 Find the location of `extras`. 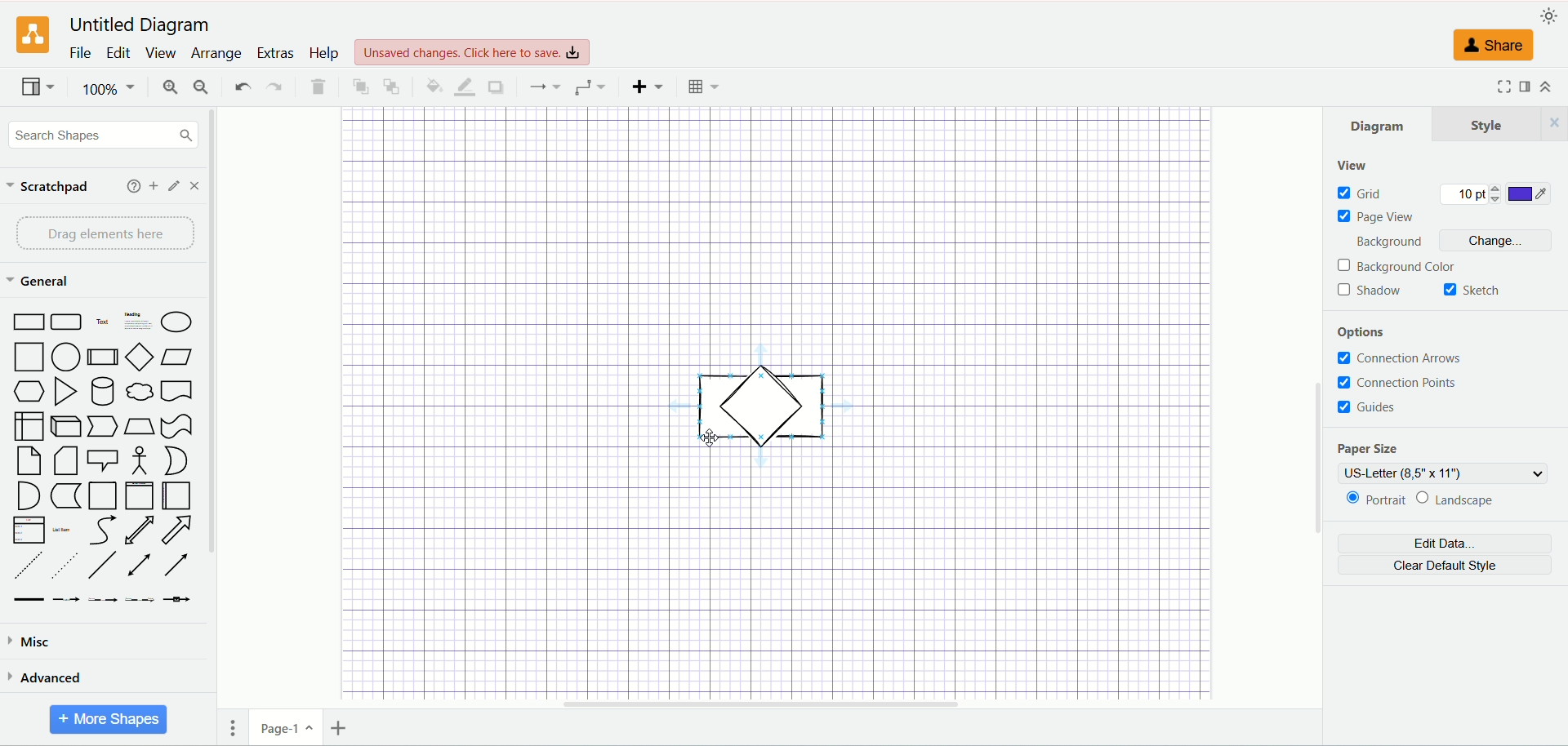

extras is located at coordinates (275, 52).